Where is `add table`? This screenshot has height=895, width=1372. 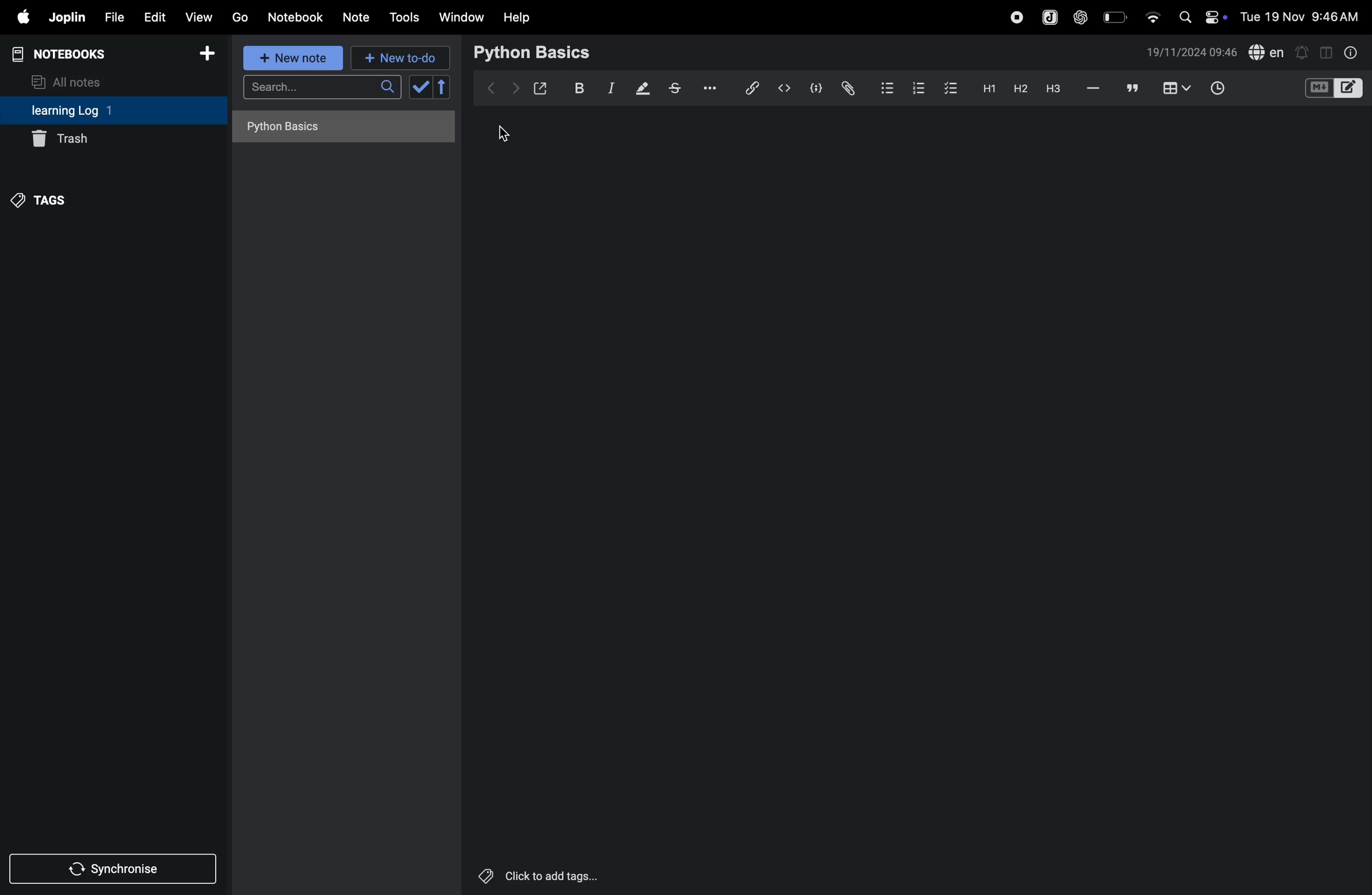
add table is located at coordinates (1174, 89).